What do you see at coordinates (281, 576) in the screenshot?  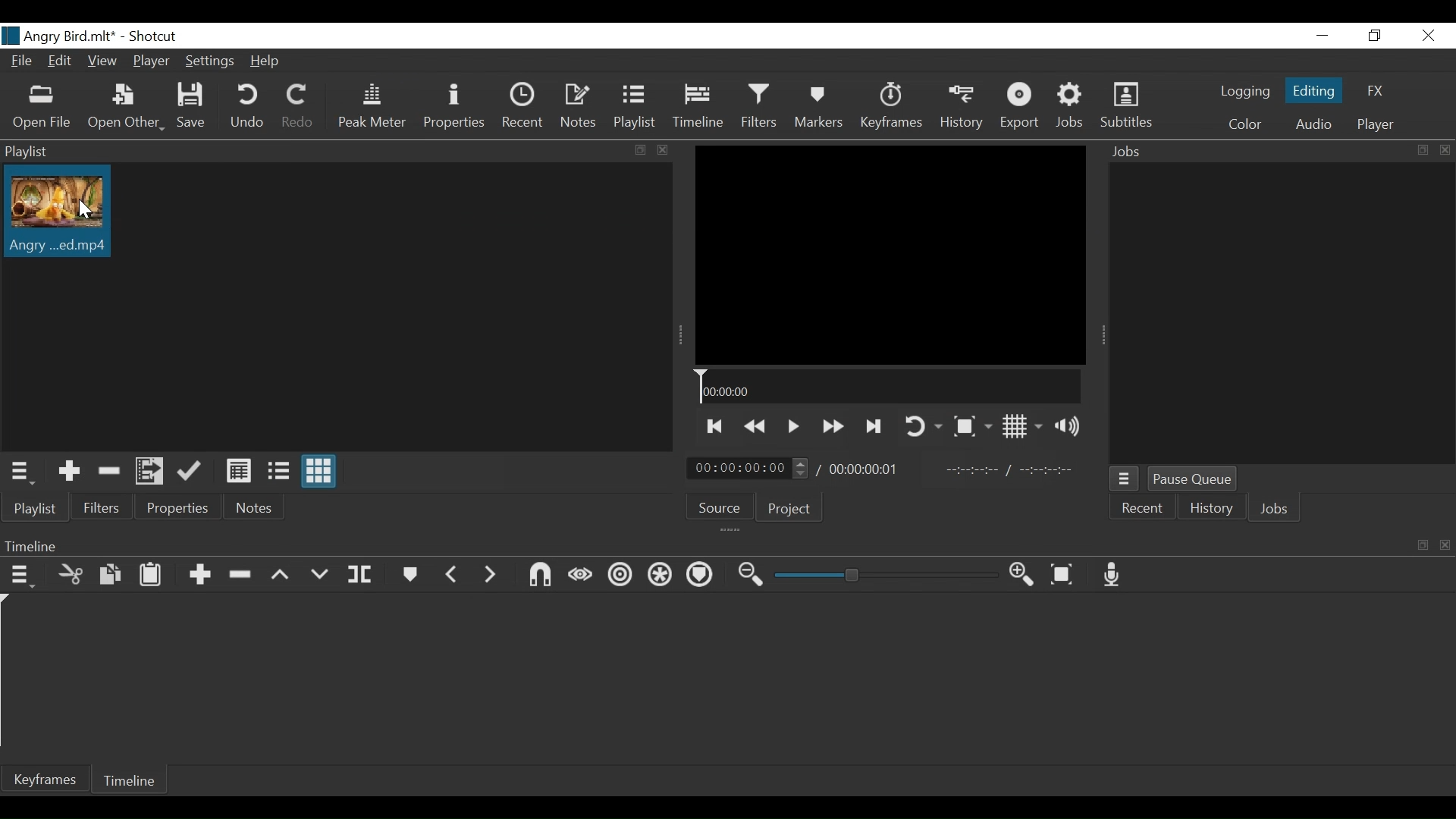 I see `lift` at bounding box center [281, 576].